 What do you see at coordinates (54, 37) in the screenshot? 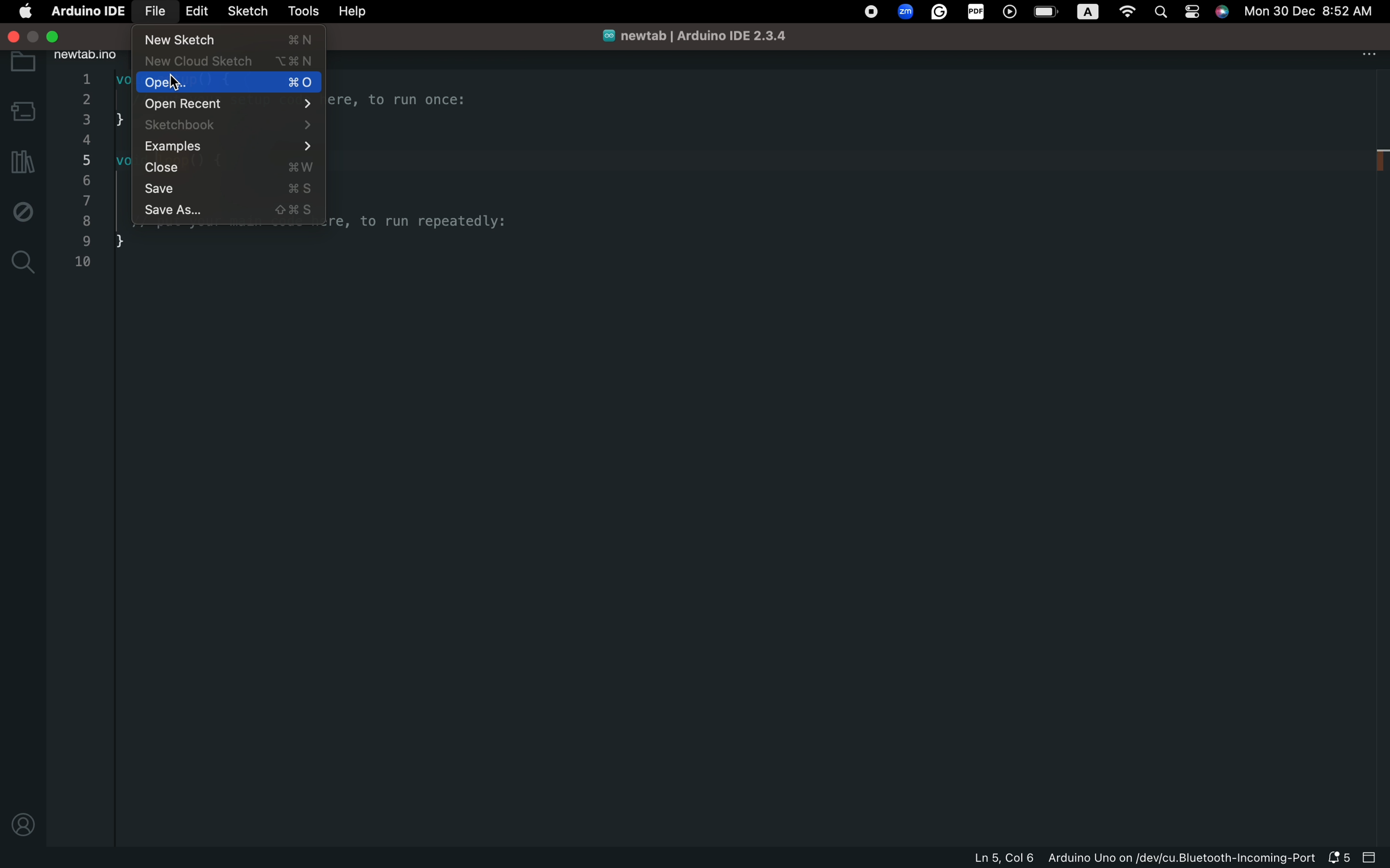
I see `exit full screen` at bounding box center [54, 37].